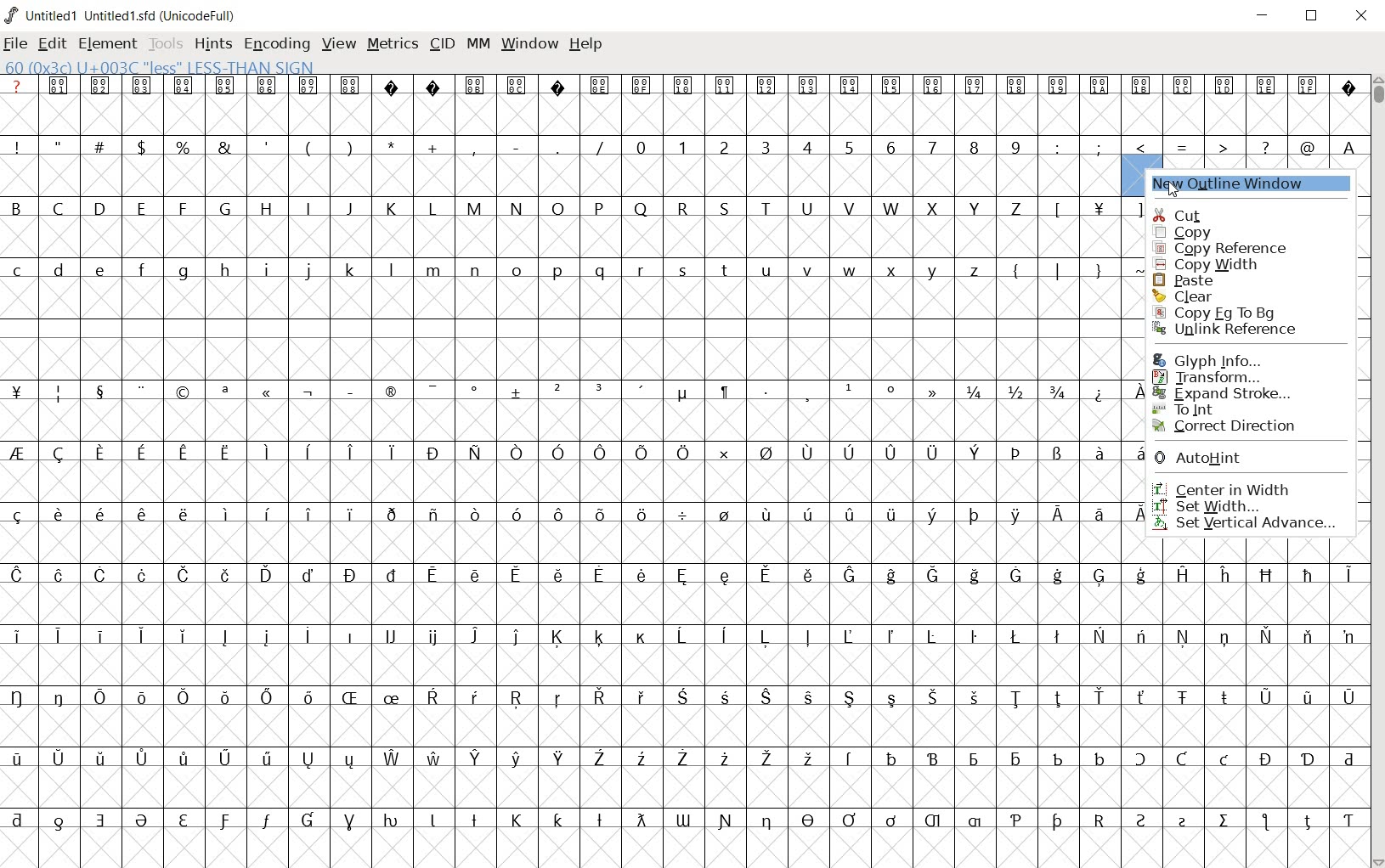 This screenshot has width=1385, height=868. I want to click on Untitled1 Untitled1.sfd (UnicodeFull), so click(124, 15).